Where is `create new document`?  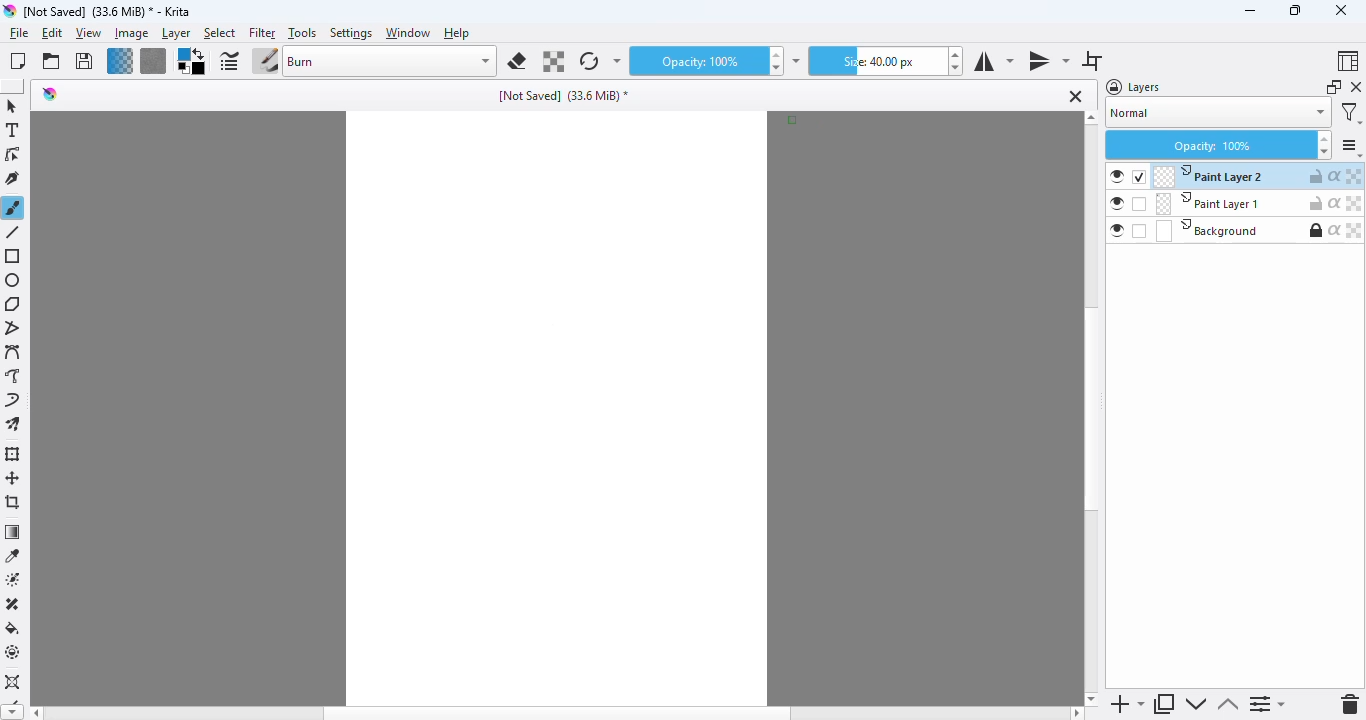
create new document is located at coordinates (17, 61).